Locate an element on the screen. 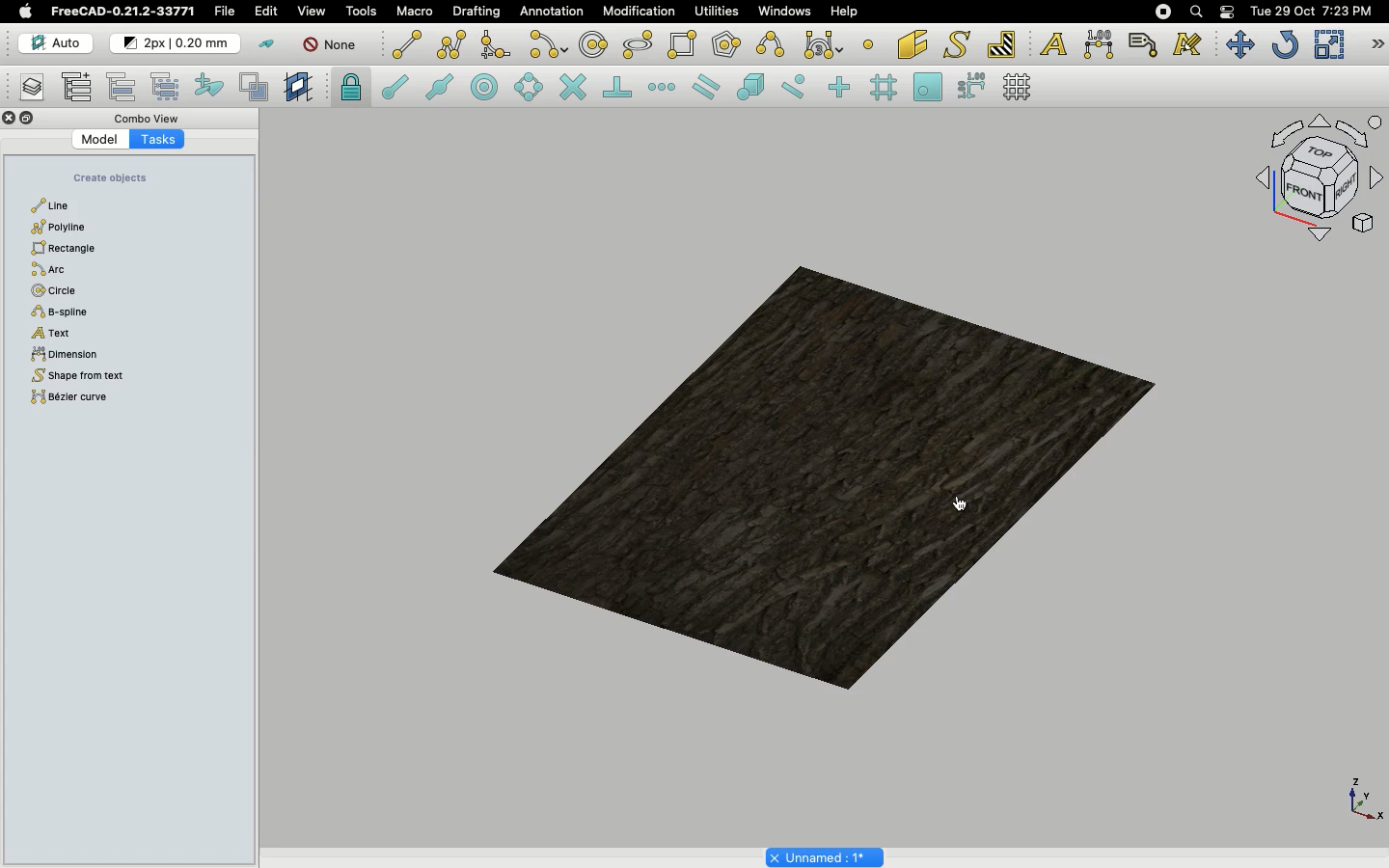  Line is located at coordinates (404, 44).